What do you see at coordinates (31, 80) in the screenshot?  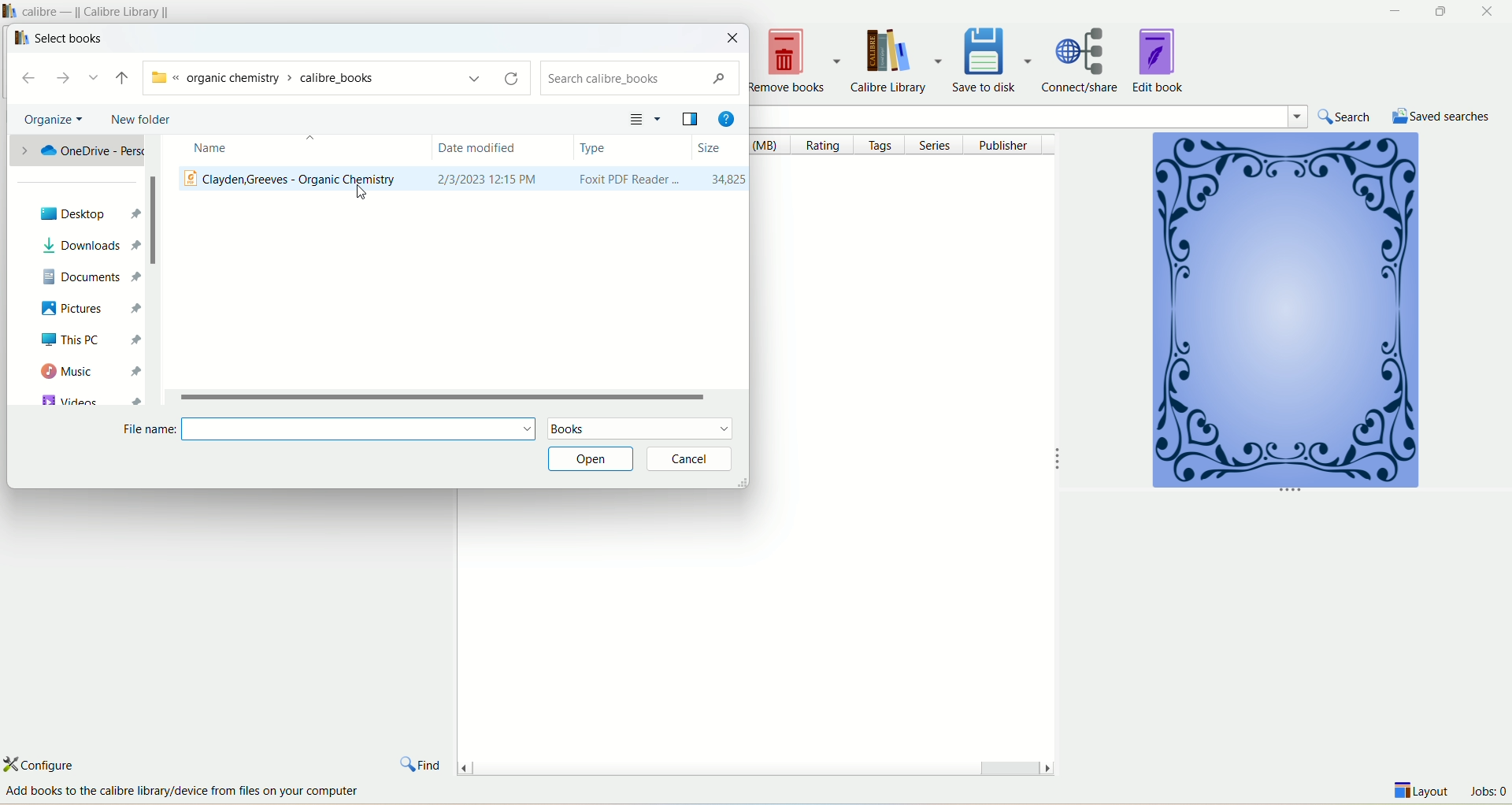 I see `back` at bounding box center [31, 80].